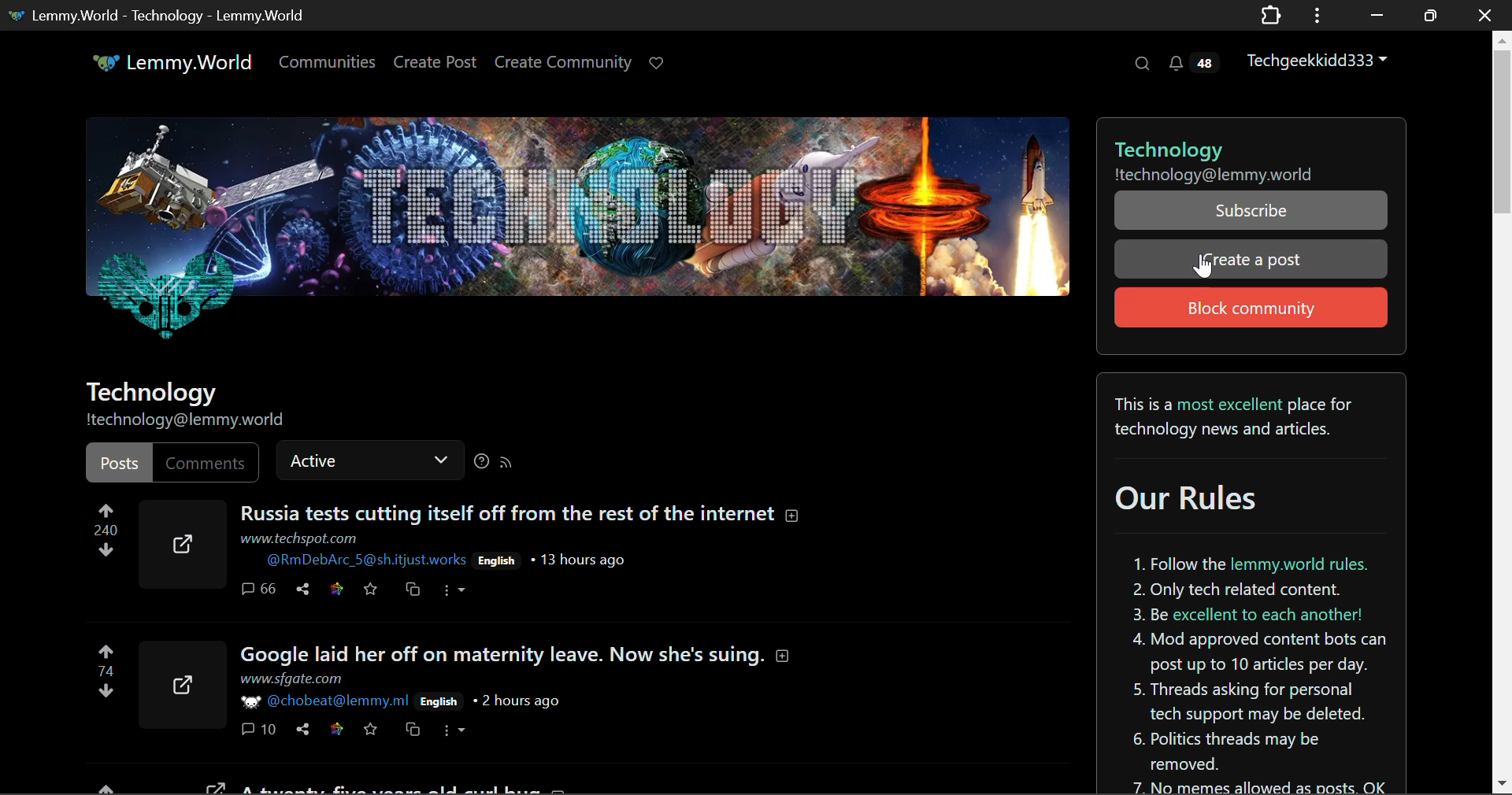  What do you see at coordinates (175, 65) in the screenshot?
I see `Lemmy.World` at bounding box center [175, 65].